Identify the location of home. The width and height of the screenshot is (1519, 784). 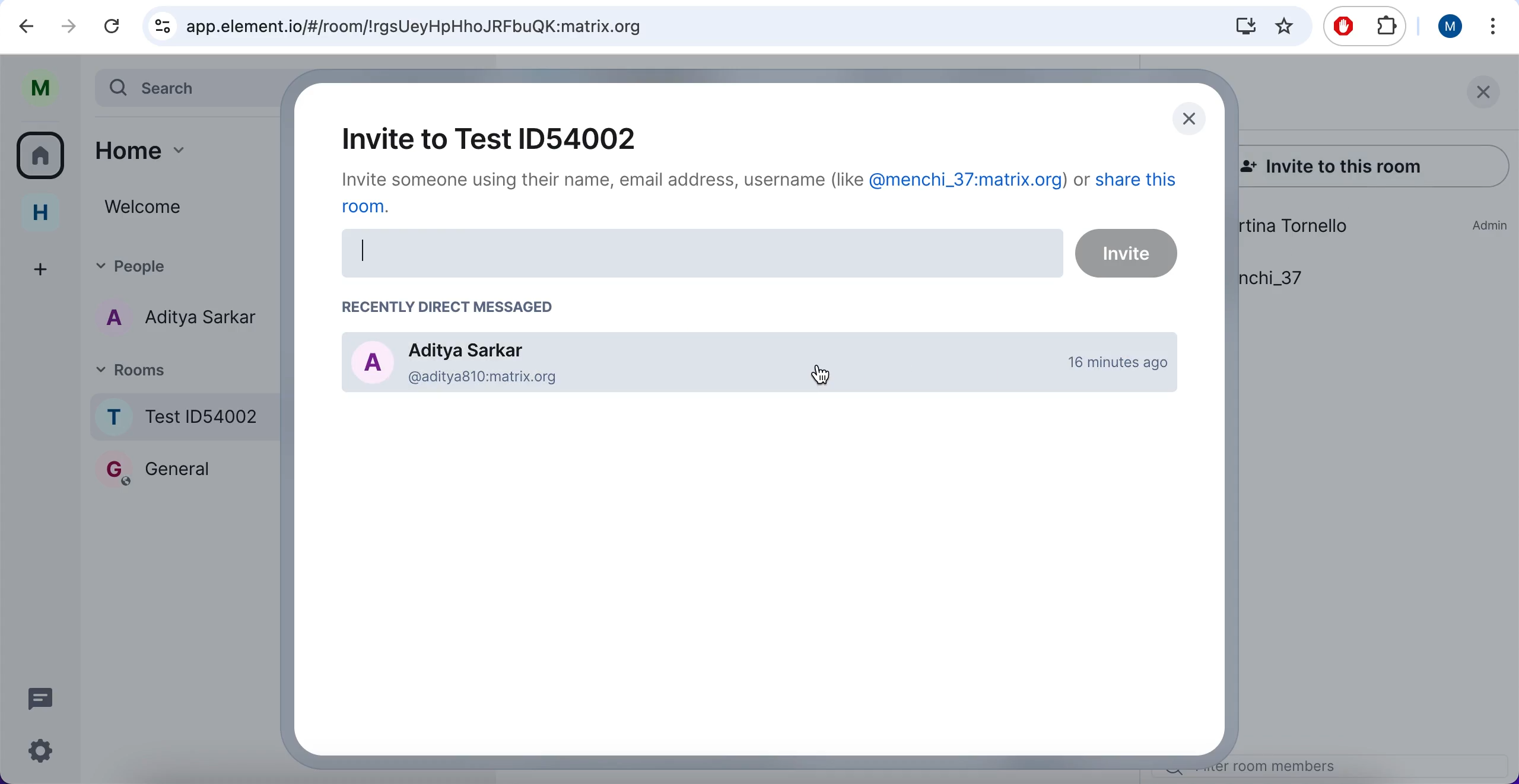
(41, 213).